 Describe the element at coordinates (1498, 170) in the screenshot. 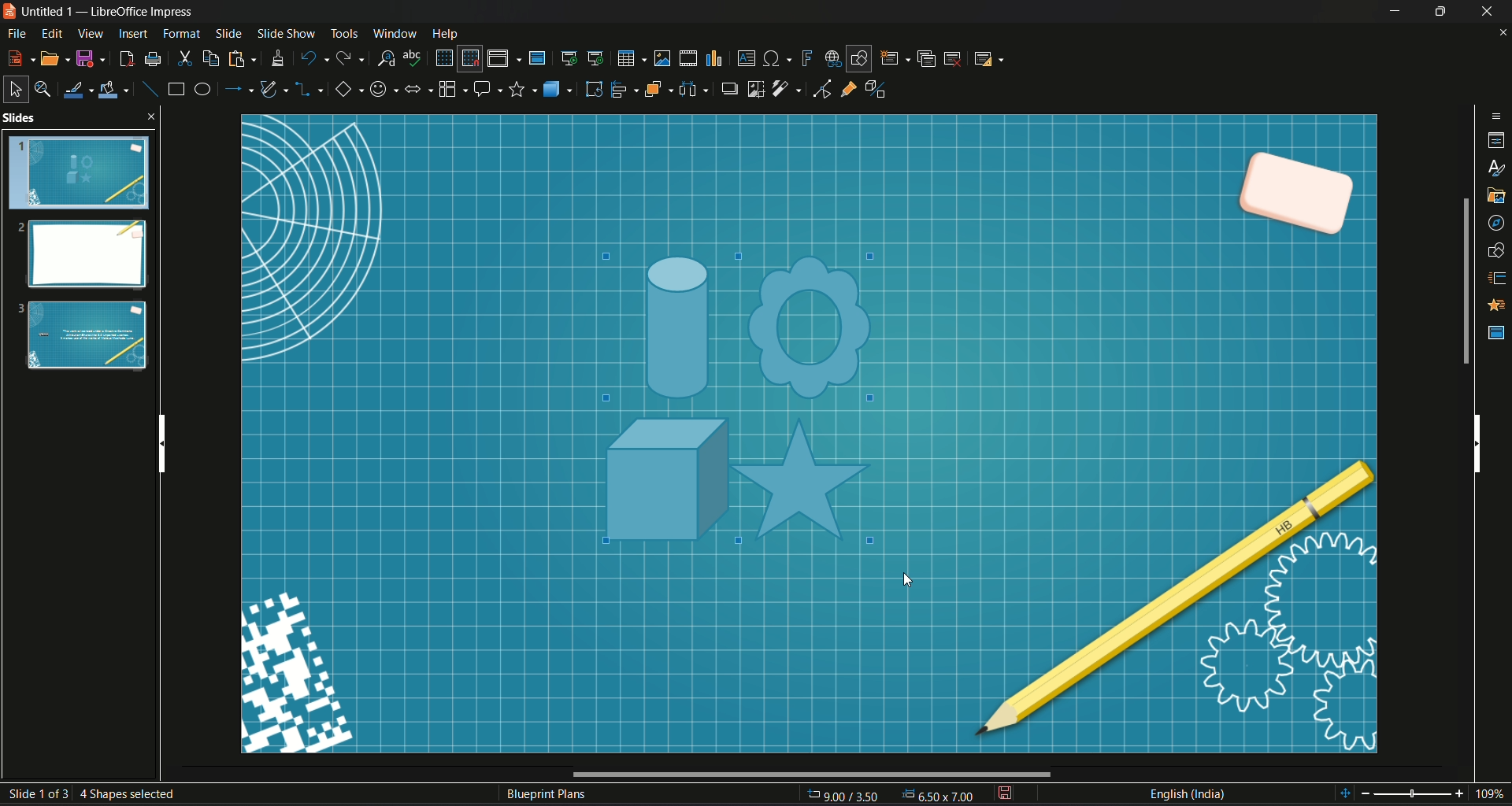

I see `styles` at that location.